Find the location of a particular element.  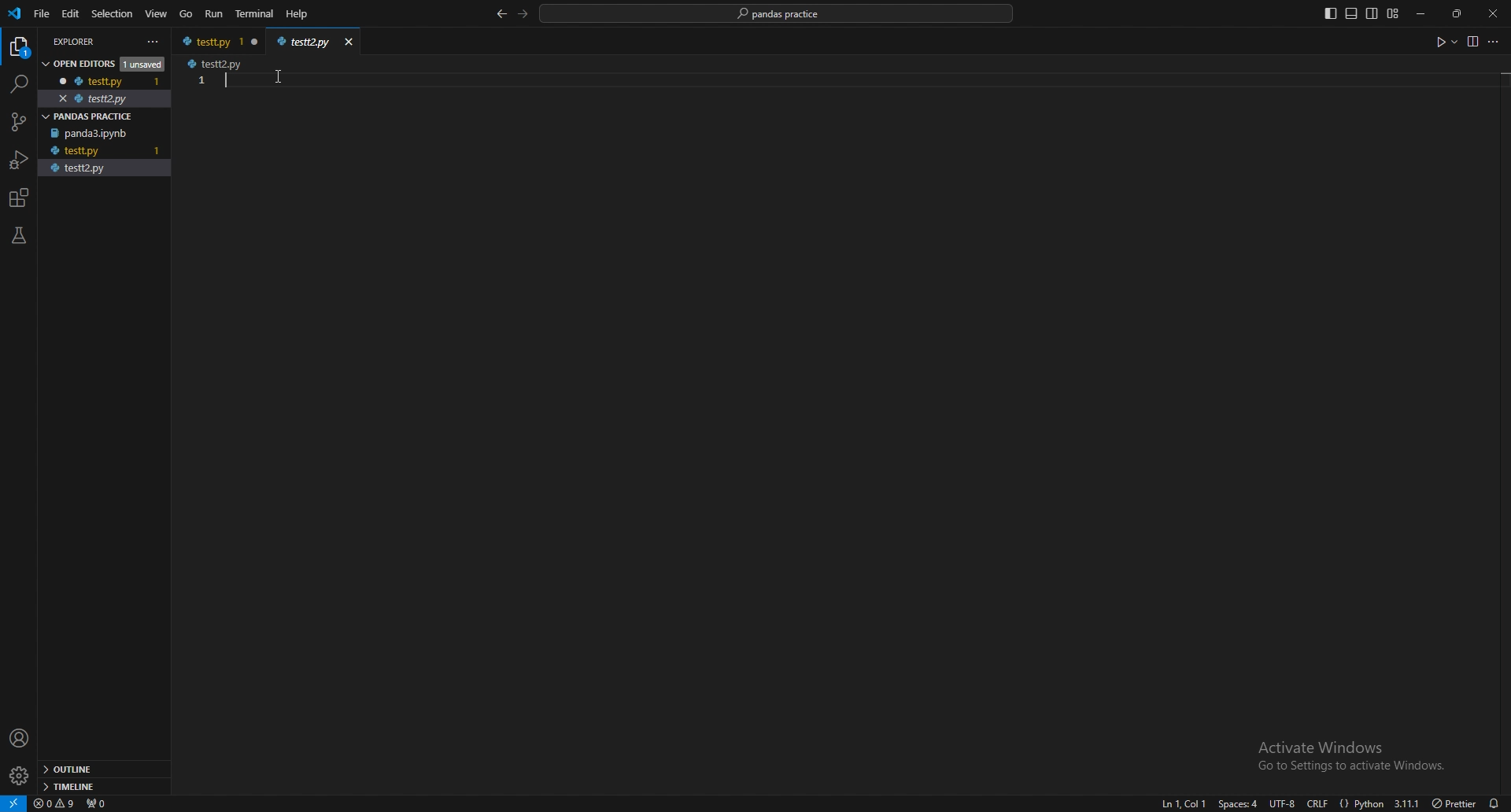

source control is located at coordinates (17, 122).